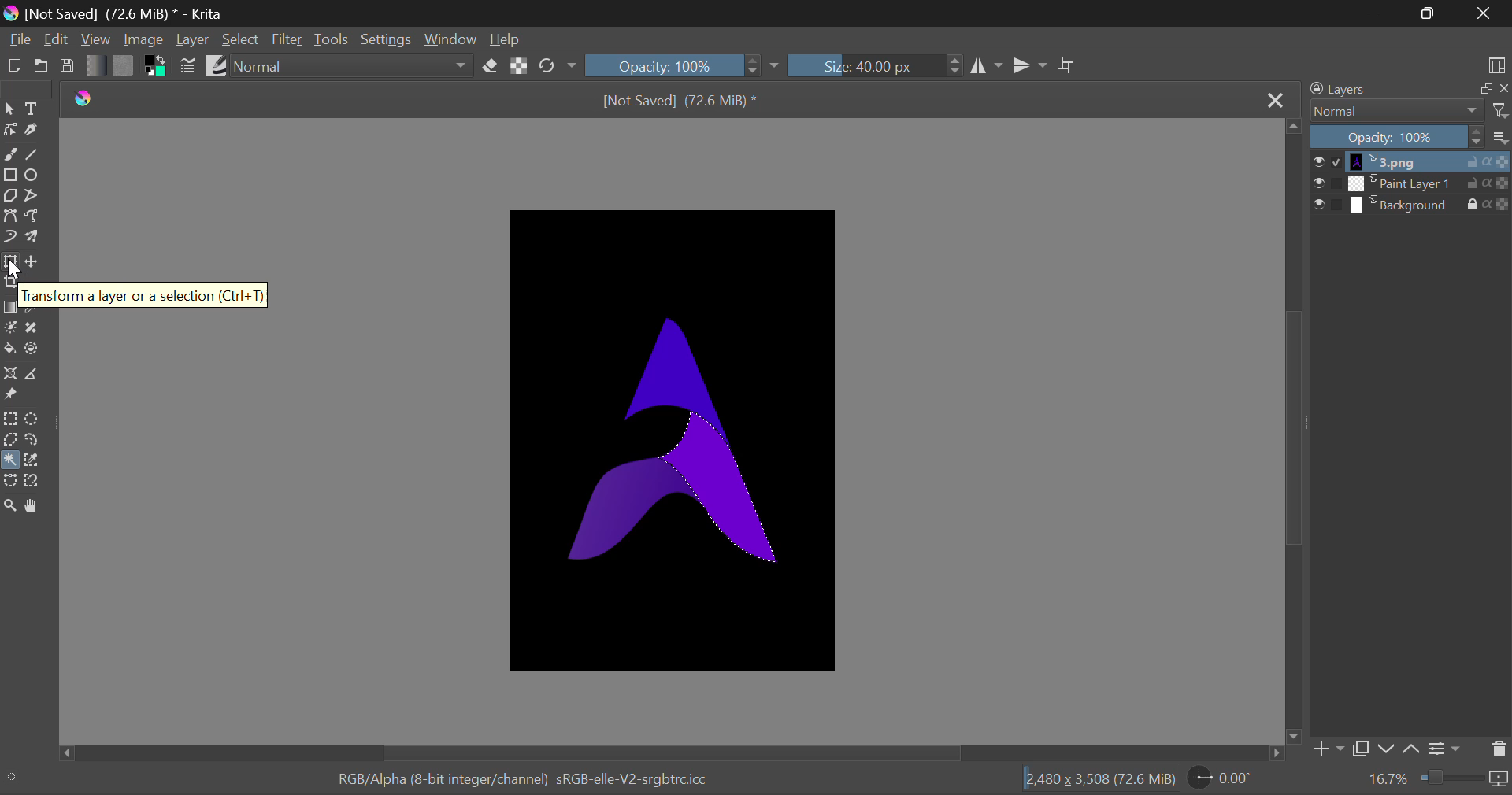 The width and height of the screenshot is (1512, 795). What do you see at coordinates (1488, 162) in the screenshot?
I see `actions` at bounding box center [1488, 162].